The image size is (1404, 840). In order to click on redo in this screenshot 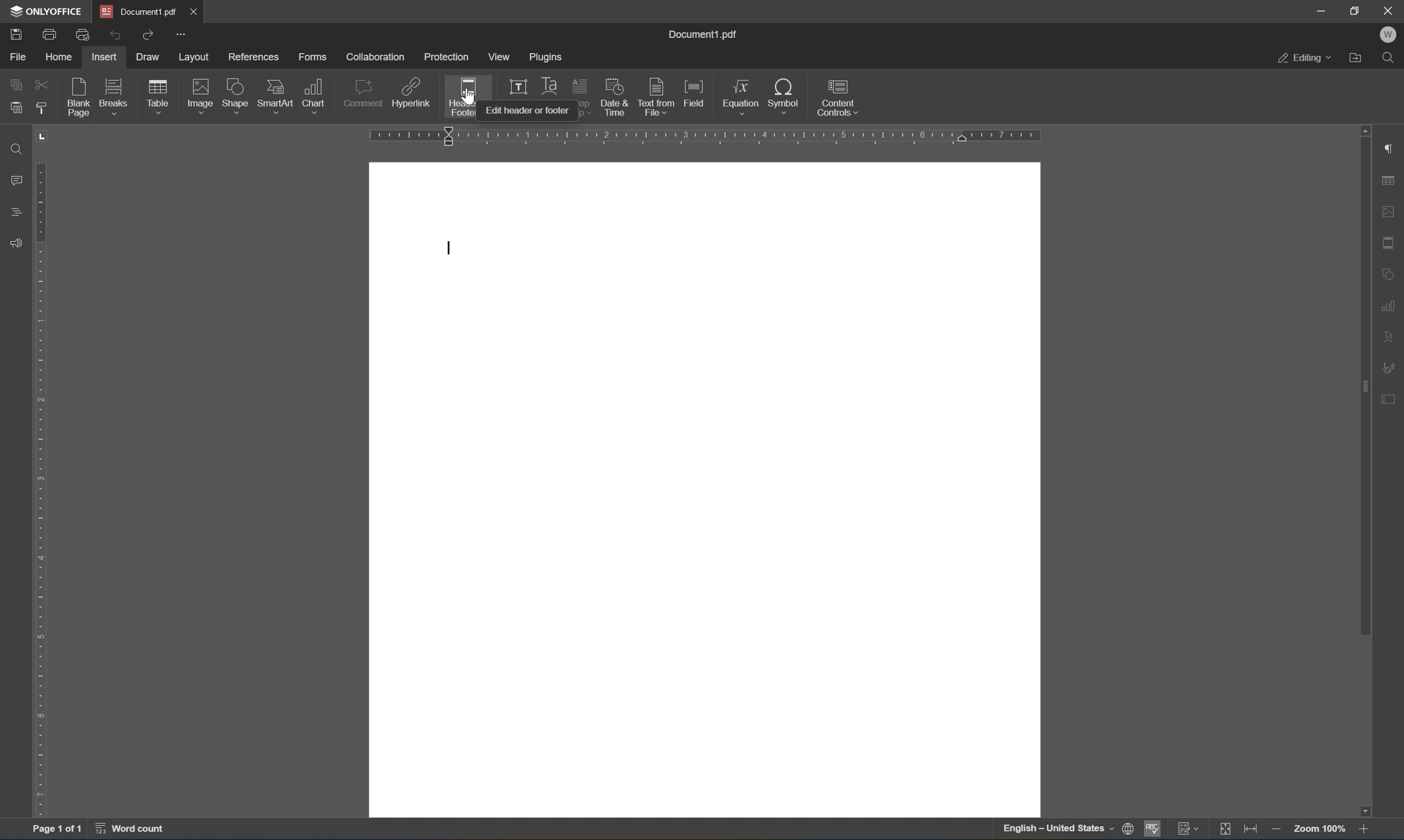, I will do `click(149, 37)`.